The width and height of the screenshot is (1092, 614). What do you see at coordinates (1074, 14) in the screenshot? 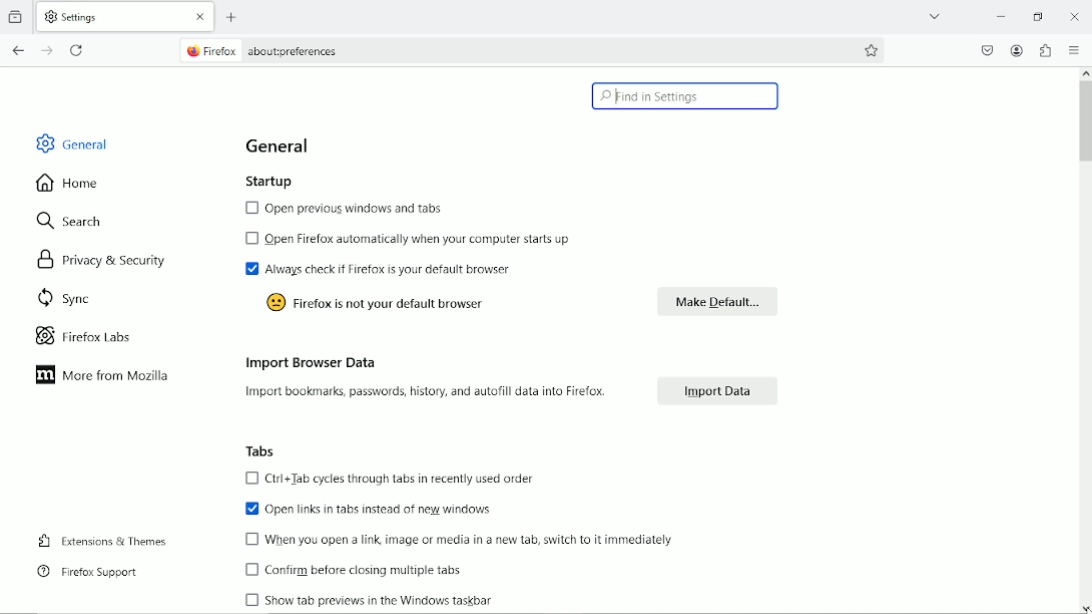
I see `Close` at bounding box center [1074, 14].